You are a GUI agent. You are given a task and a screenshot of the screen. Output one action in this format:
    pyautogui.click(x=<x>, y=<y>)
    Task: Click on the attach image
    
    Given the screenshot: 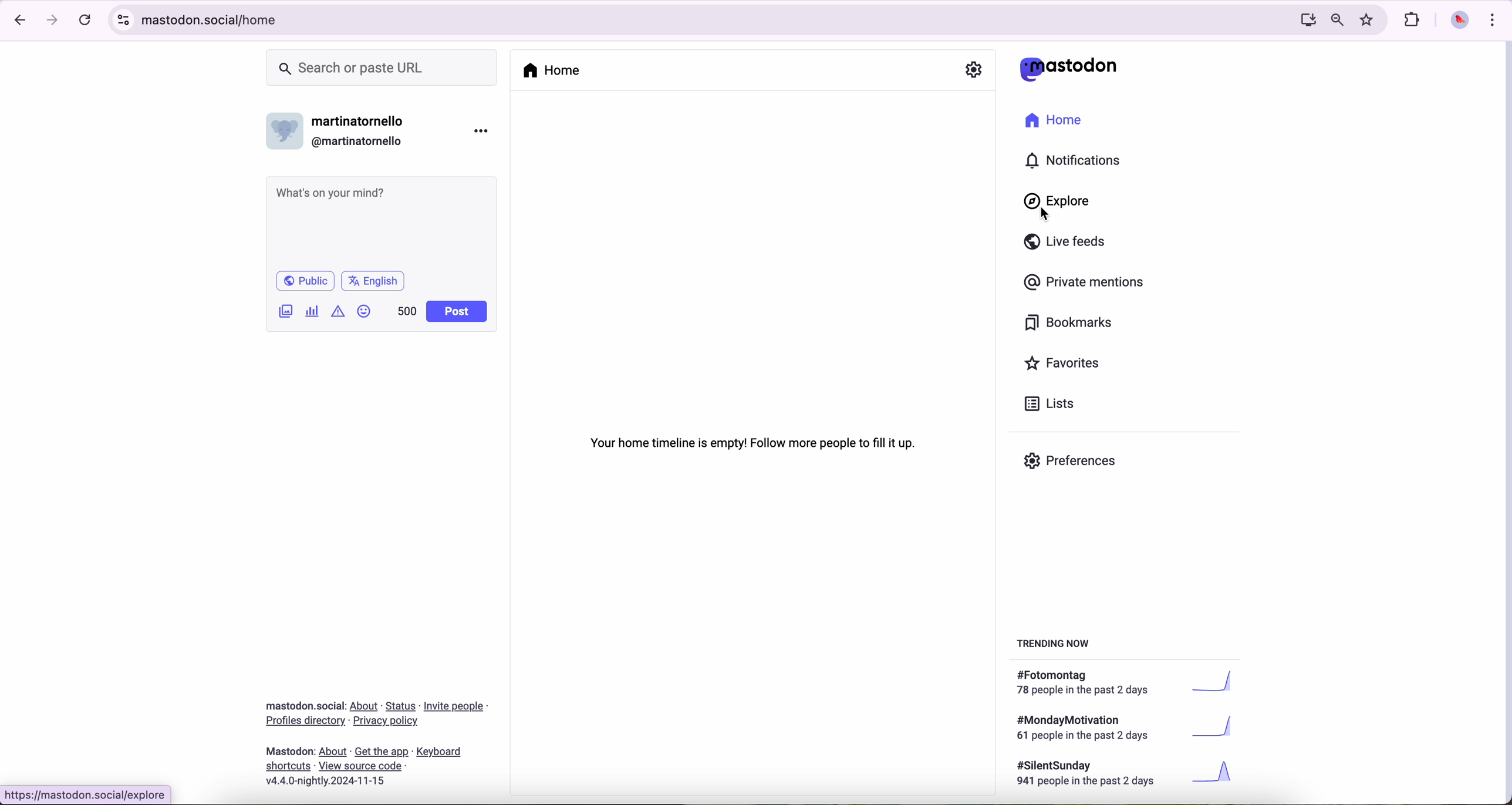 What is the action you would take?
    pyautogui.click(x=286, y=311)
    